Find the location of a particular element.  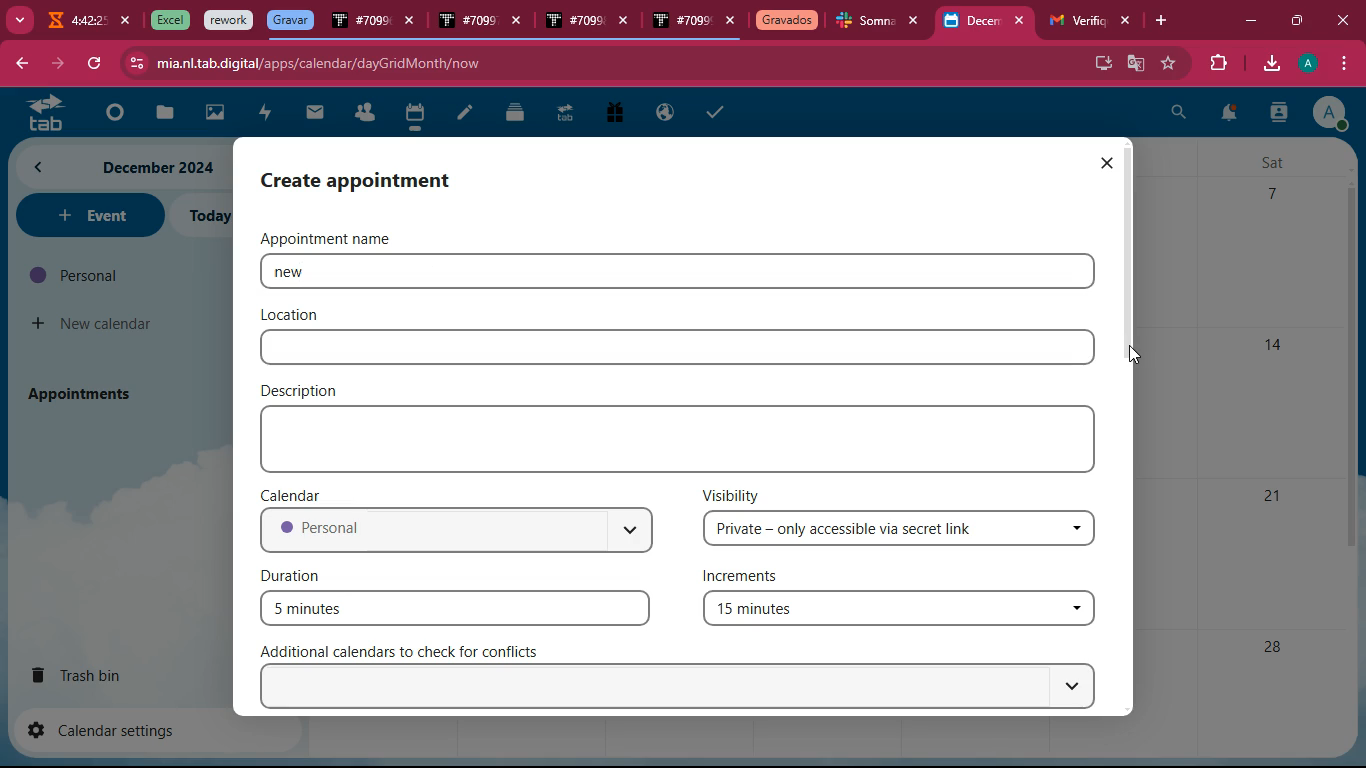

maximize is located at coordinates (1295, 18).